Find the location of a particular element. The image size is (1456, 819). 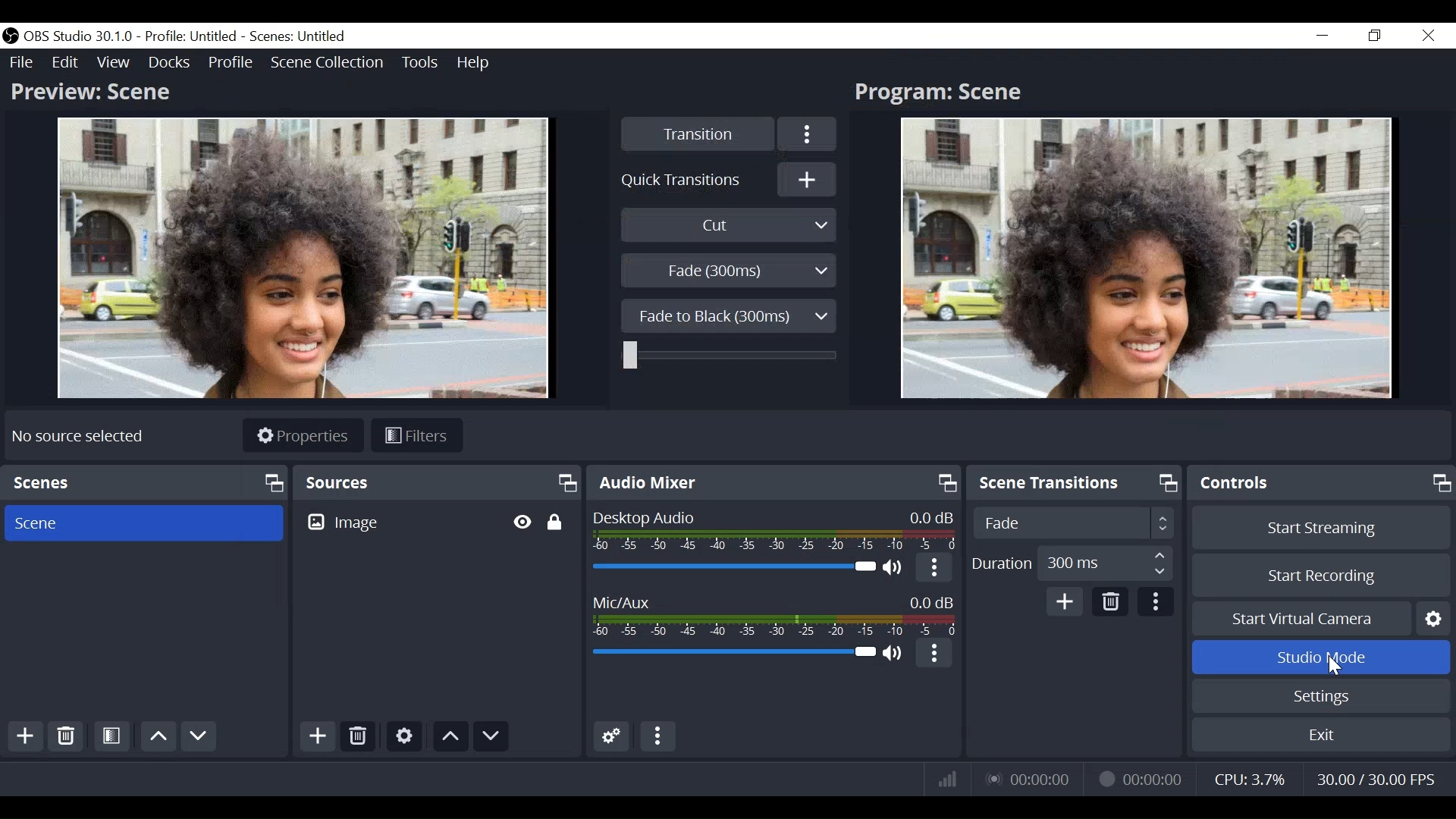

Help is located at coordinates (476, 63).